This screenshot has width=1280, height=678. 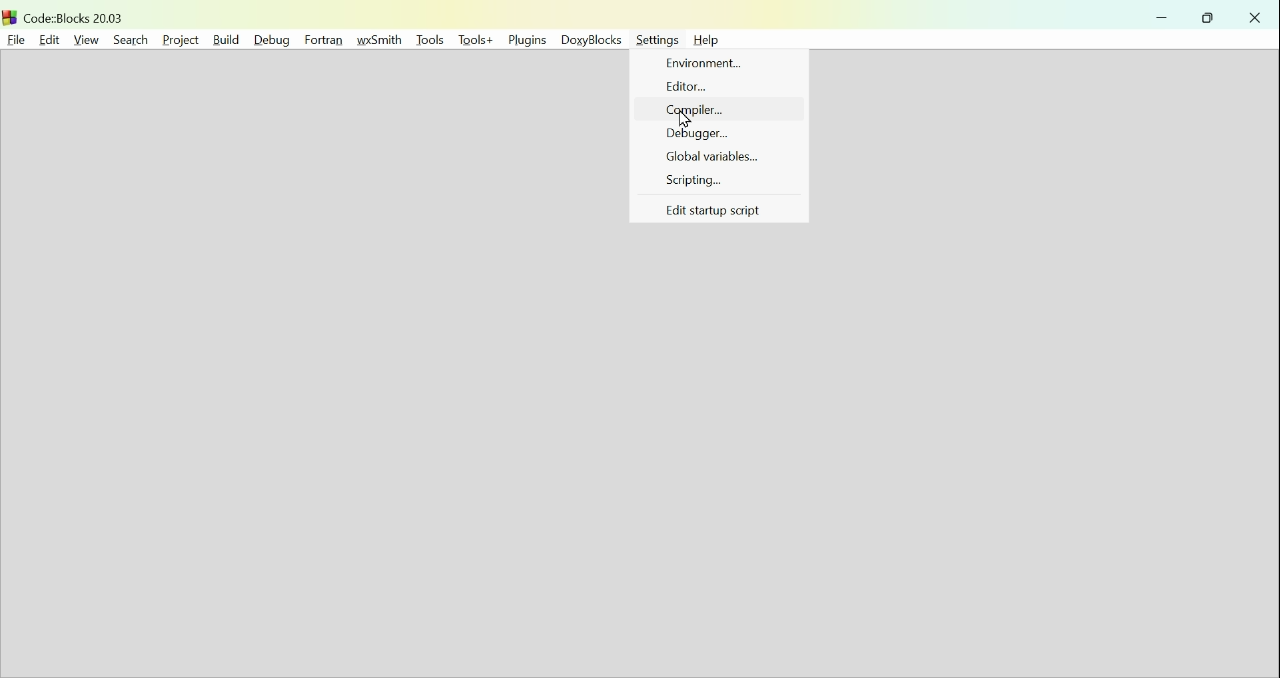 I want to click on Compiler, so click(x=726, y=109).